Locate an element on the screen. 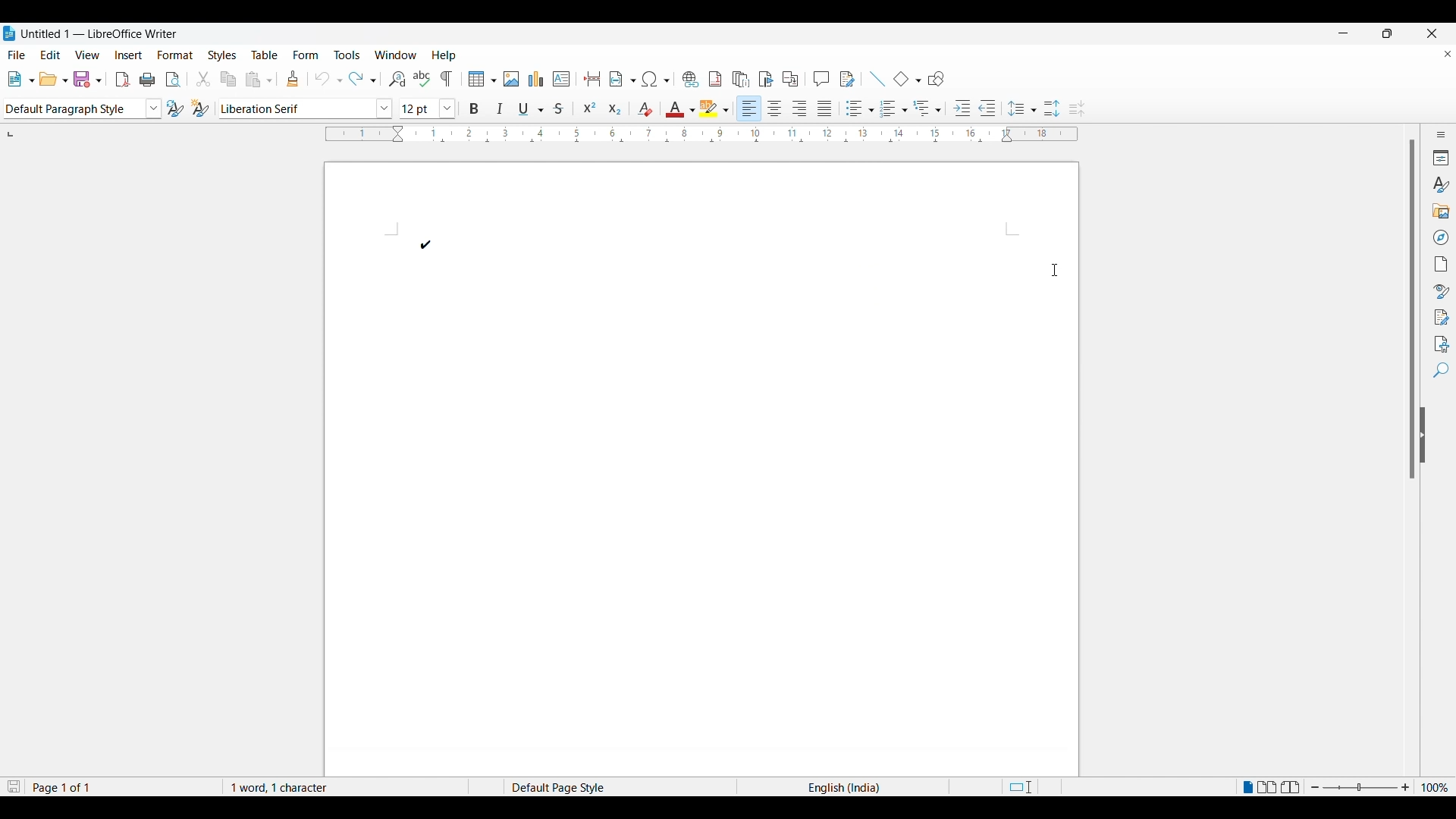 The width and height of the screenshot is (1456, 819). undo is located at coordinates (328, 79).